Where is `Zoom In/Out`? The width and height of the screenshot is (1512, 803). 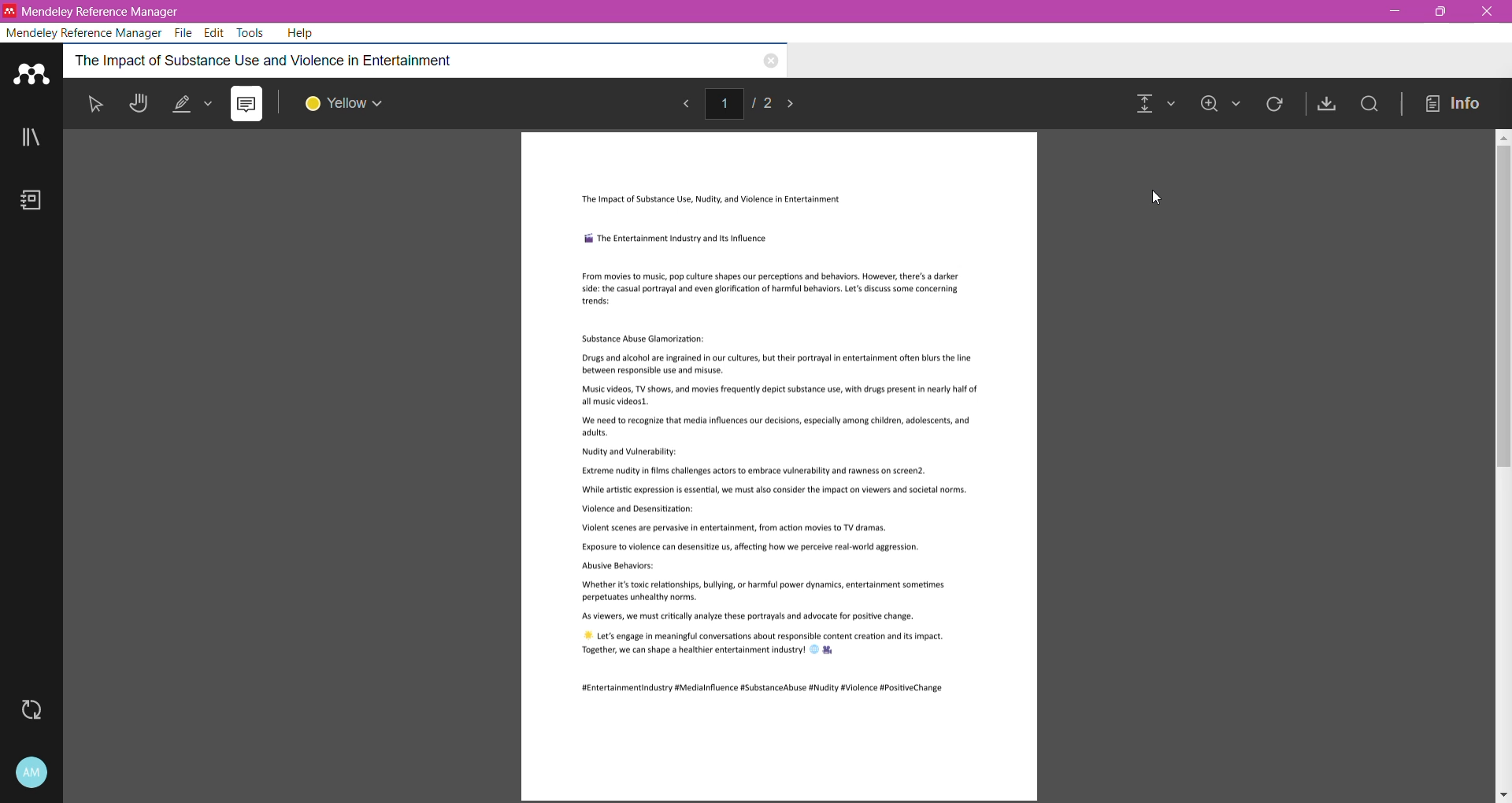 Zoom In/Out is located at coordinates (1221, 105).